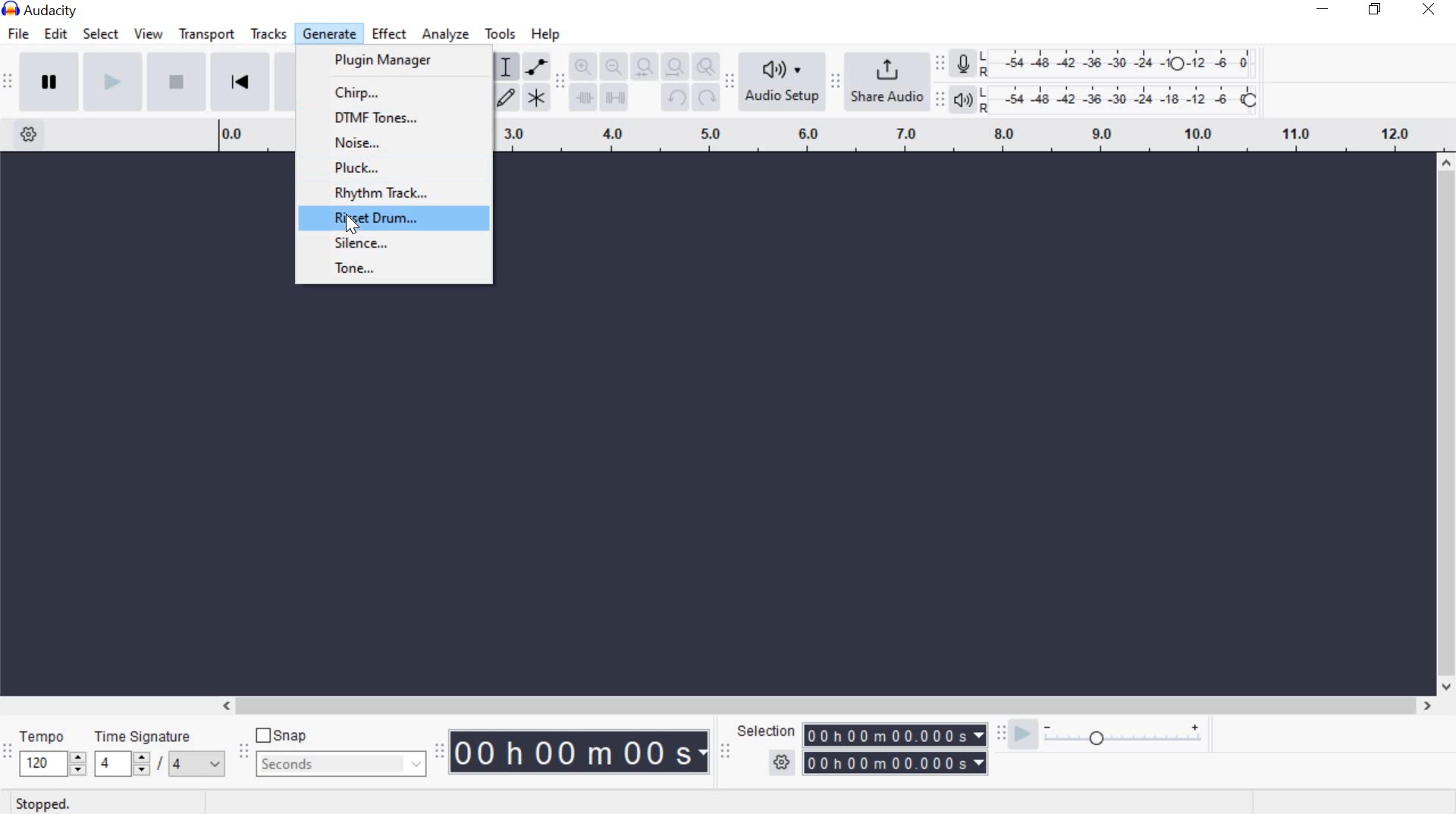  I want to click on Audio Setup, so click(779, 81).